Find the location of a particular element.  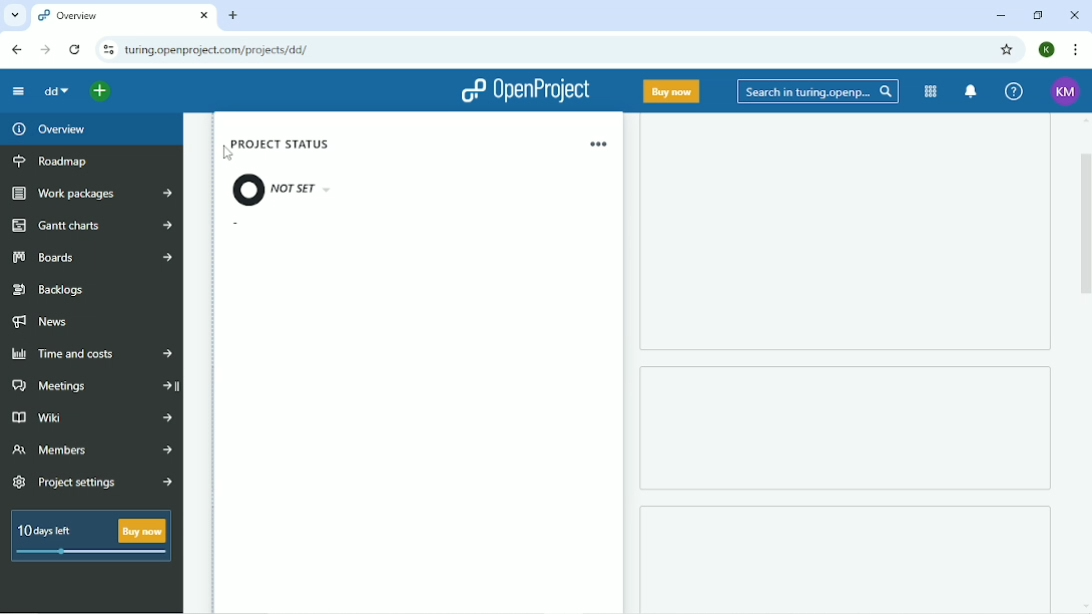

Meetings is located at coordinates (91, 387).